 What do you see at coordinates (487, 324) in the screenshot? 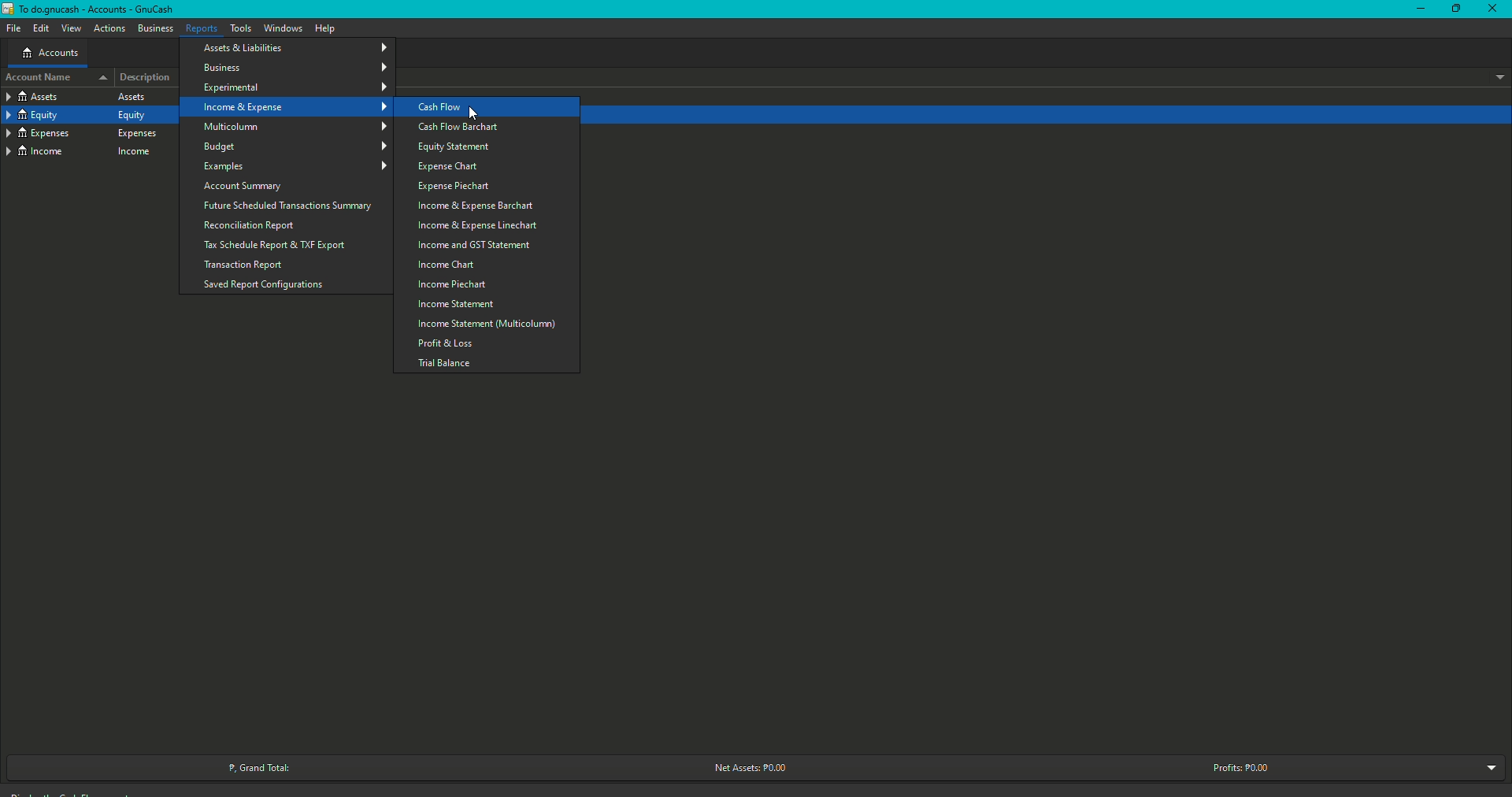
I see `Multicolumn` at bounding box center [487, 324].